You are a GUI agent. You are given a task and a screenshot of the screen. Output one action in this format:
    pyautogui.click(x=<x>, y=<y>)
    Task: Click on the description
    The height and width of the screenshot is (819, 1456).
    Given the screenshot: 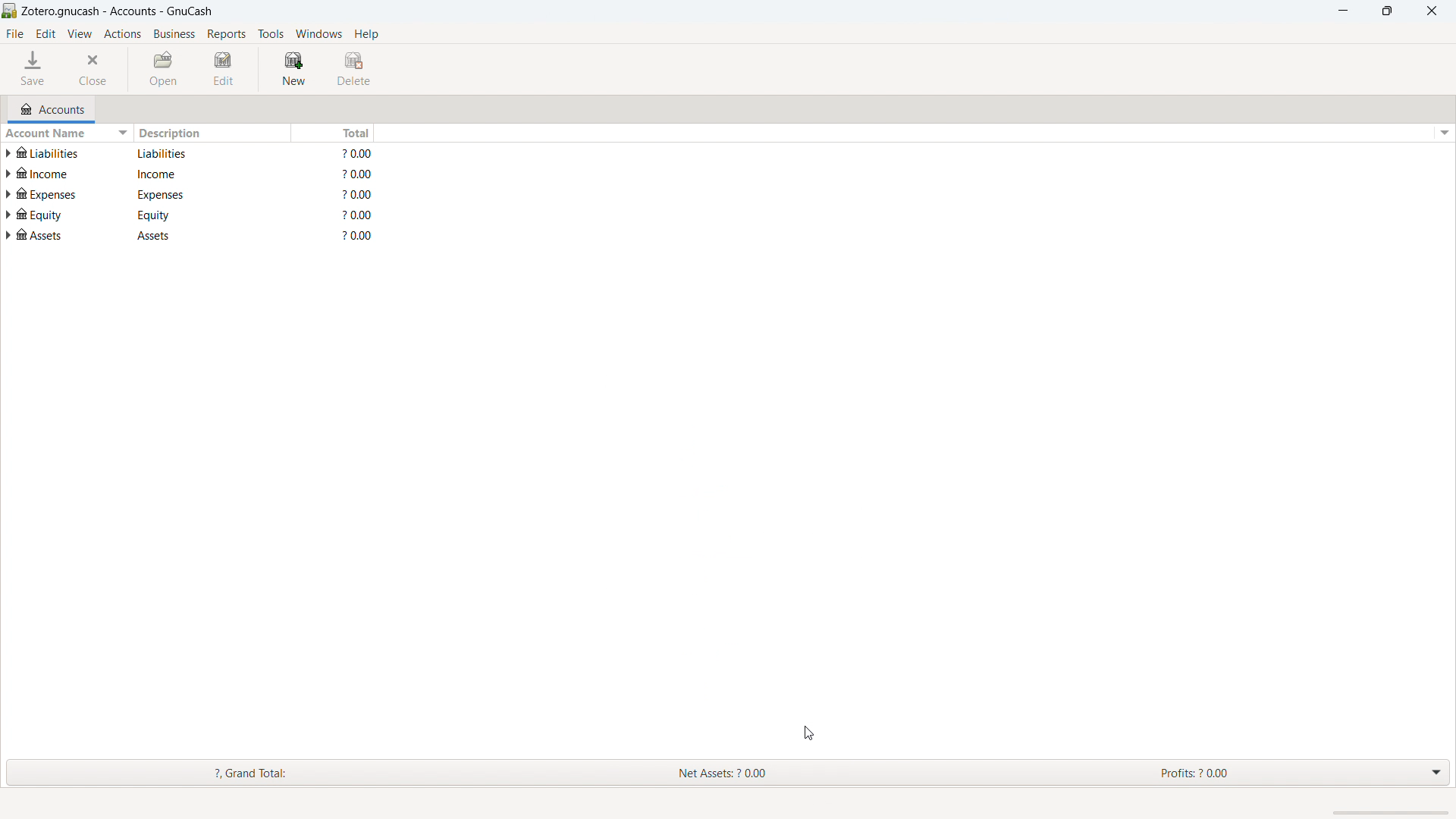 What is the action you would take?
    pyautogui.click(x=172, y=217)
    